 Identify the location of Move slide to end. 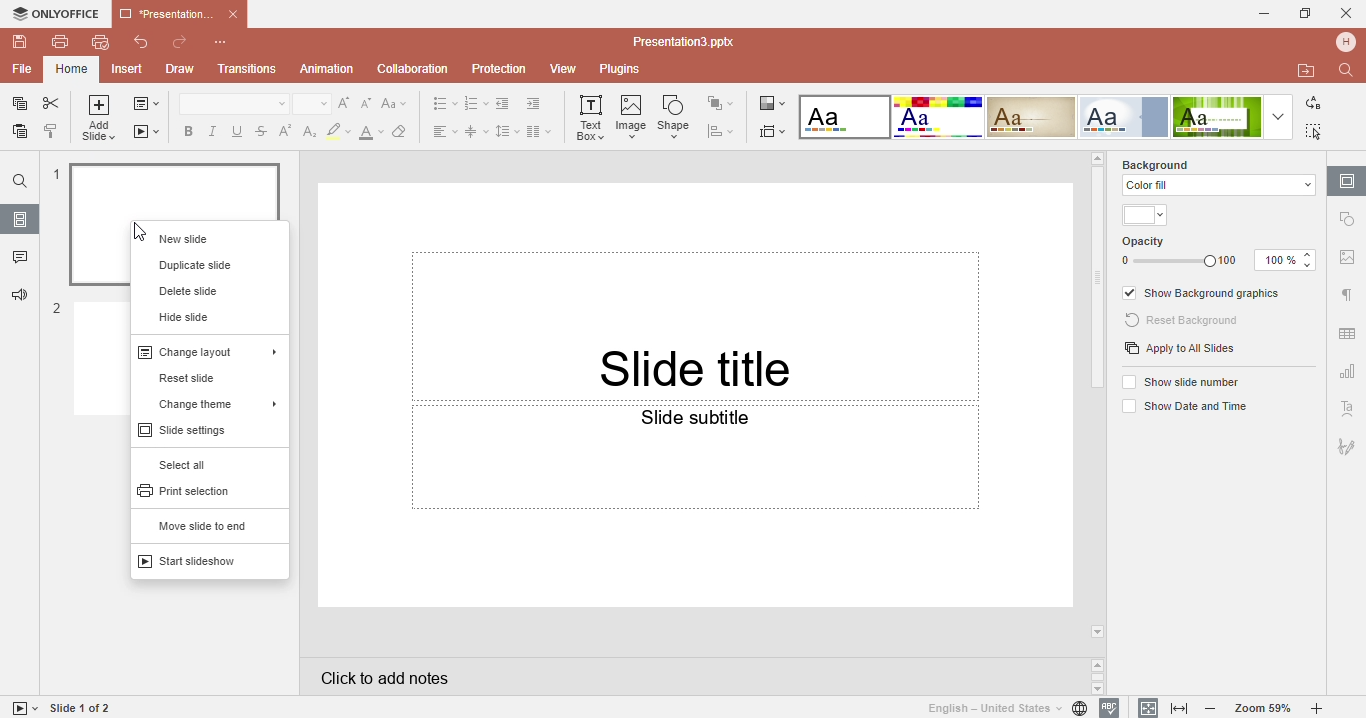
(201, 526).